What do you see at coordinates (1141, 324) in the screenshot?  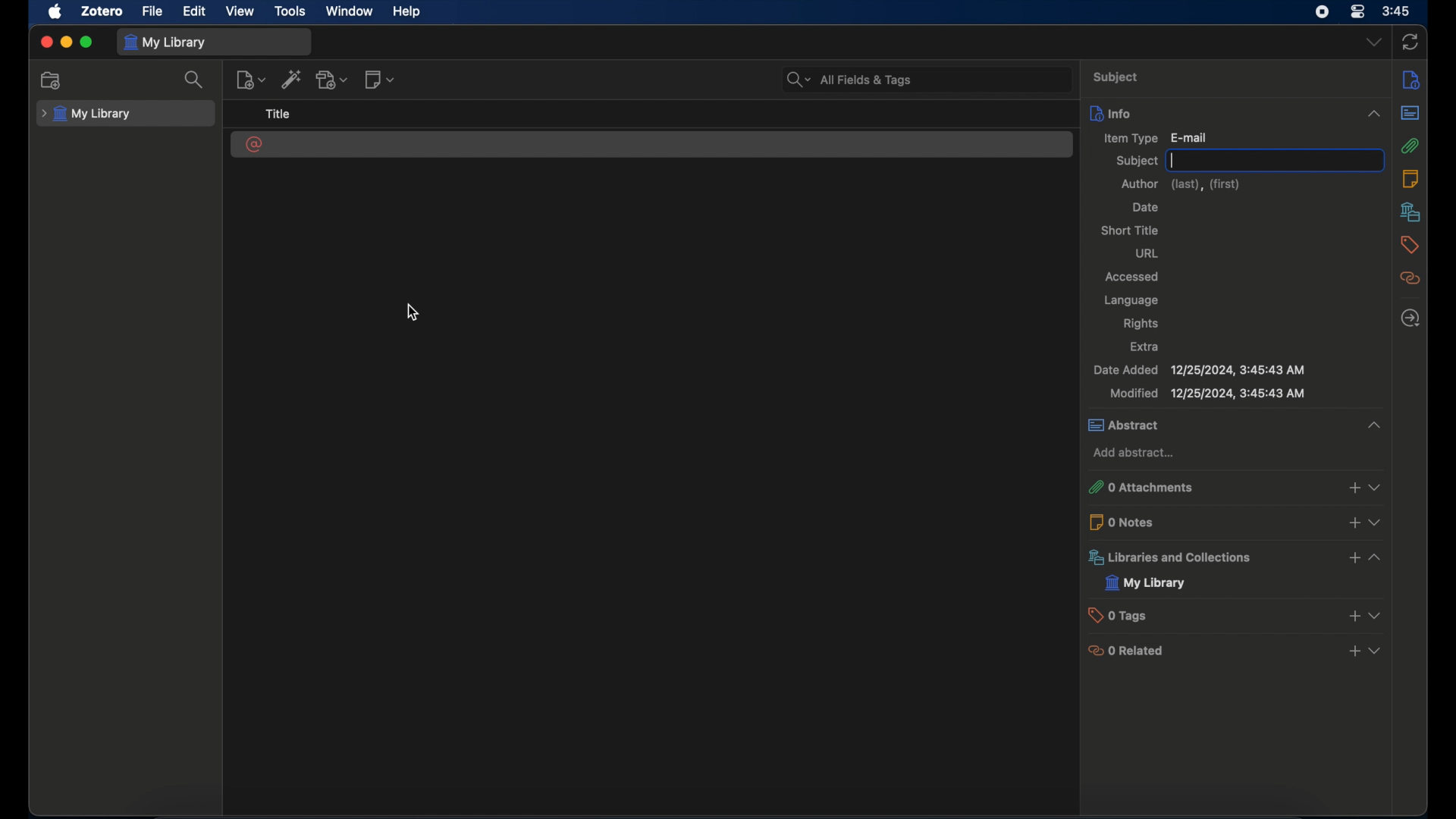 I see `rights` at bounding box center [1141, 324].